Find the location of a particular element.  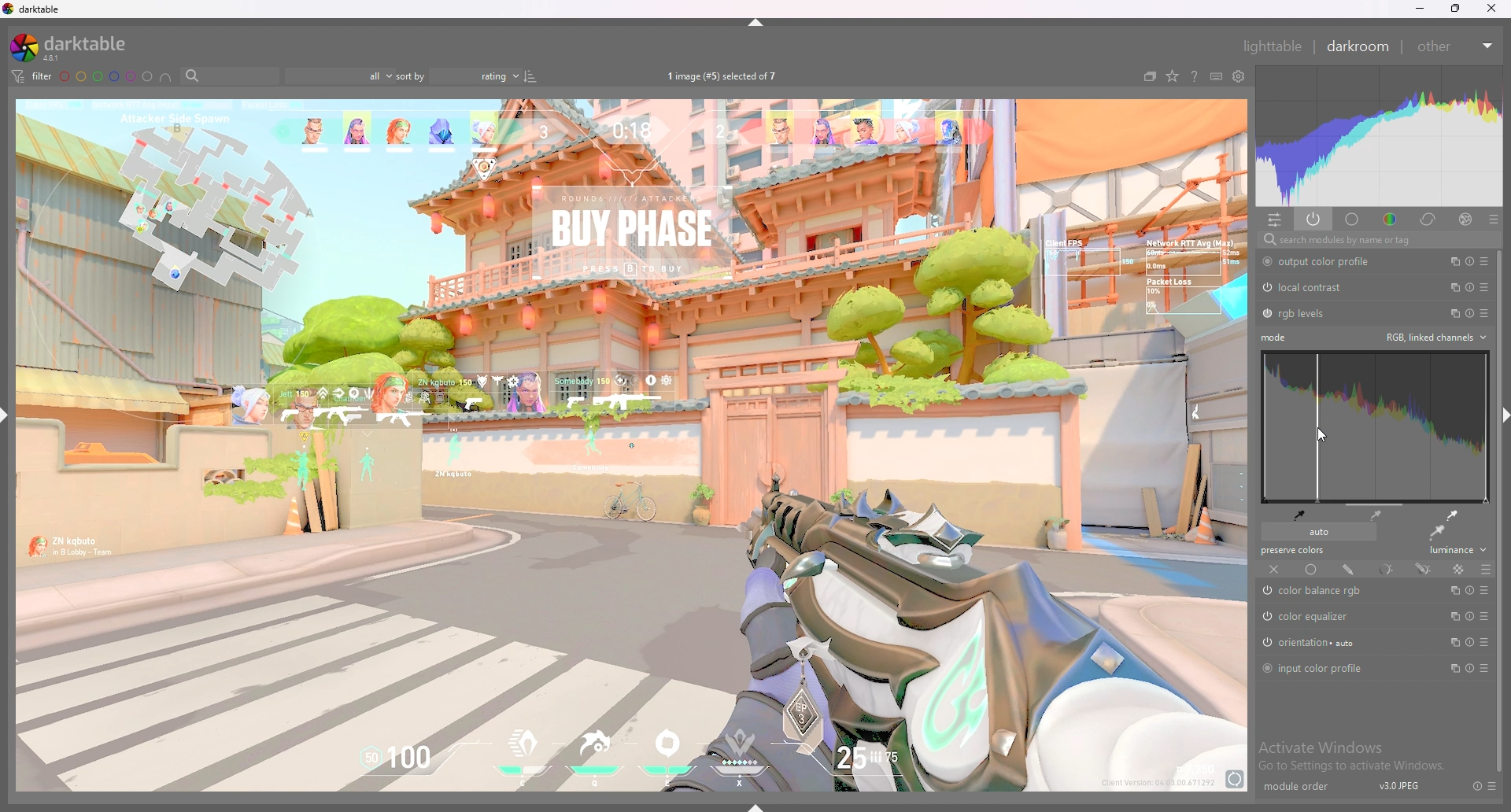

color equalizer is located at coordinates (1315, 618).